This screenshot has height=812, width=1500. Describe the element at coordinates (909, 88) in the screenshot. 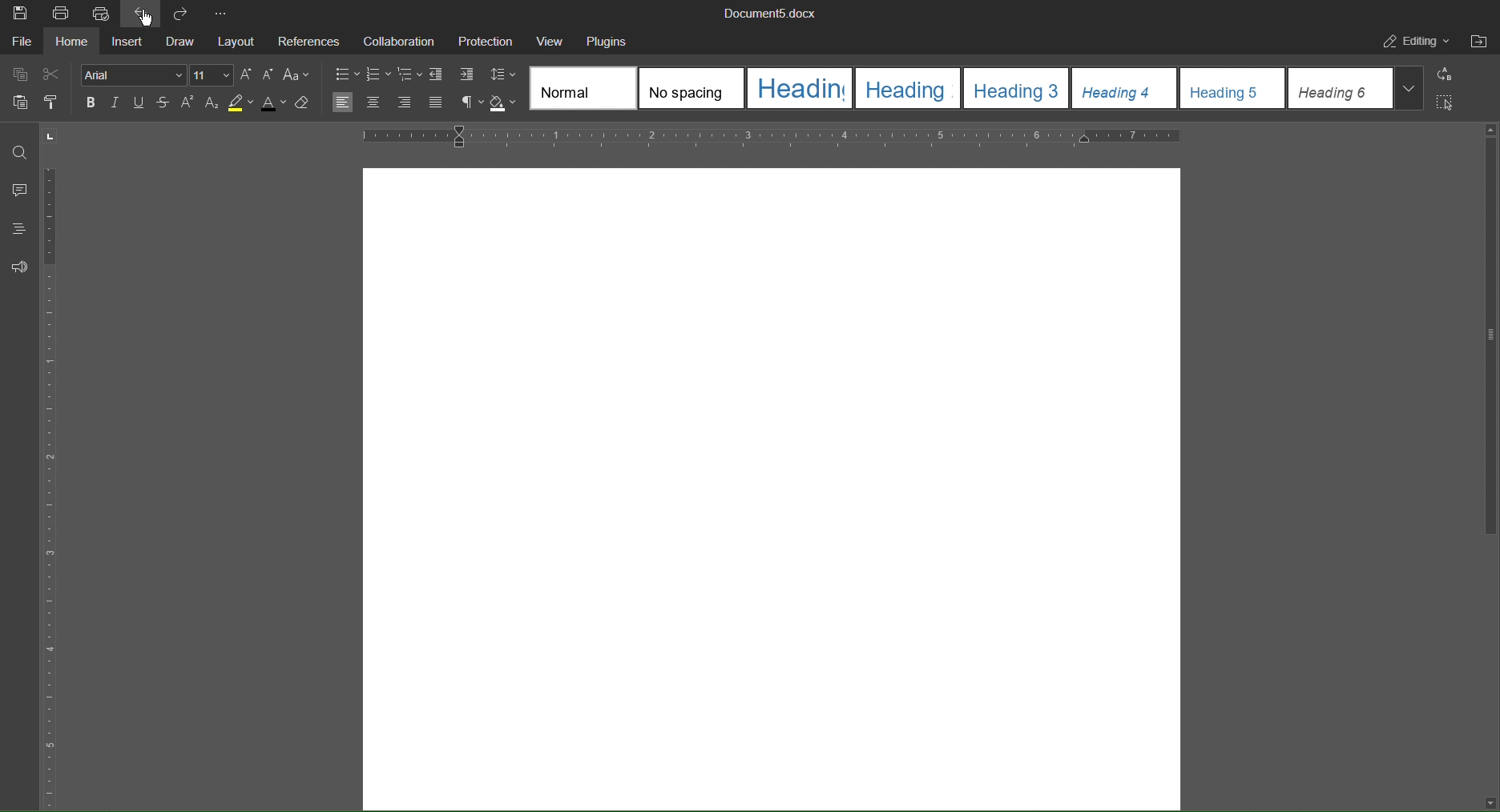

I see `template` at that location.